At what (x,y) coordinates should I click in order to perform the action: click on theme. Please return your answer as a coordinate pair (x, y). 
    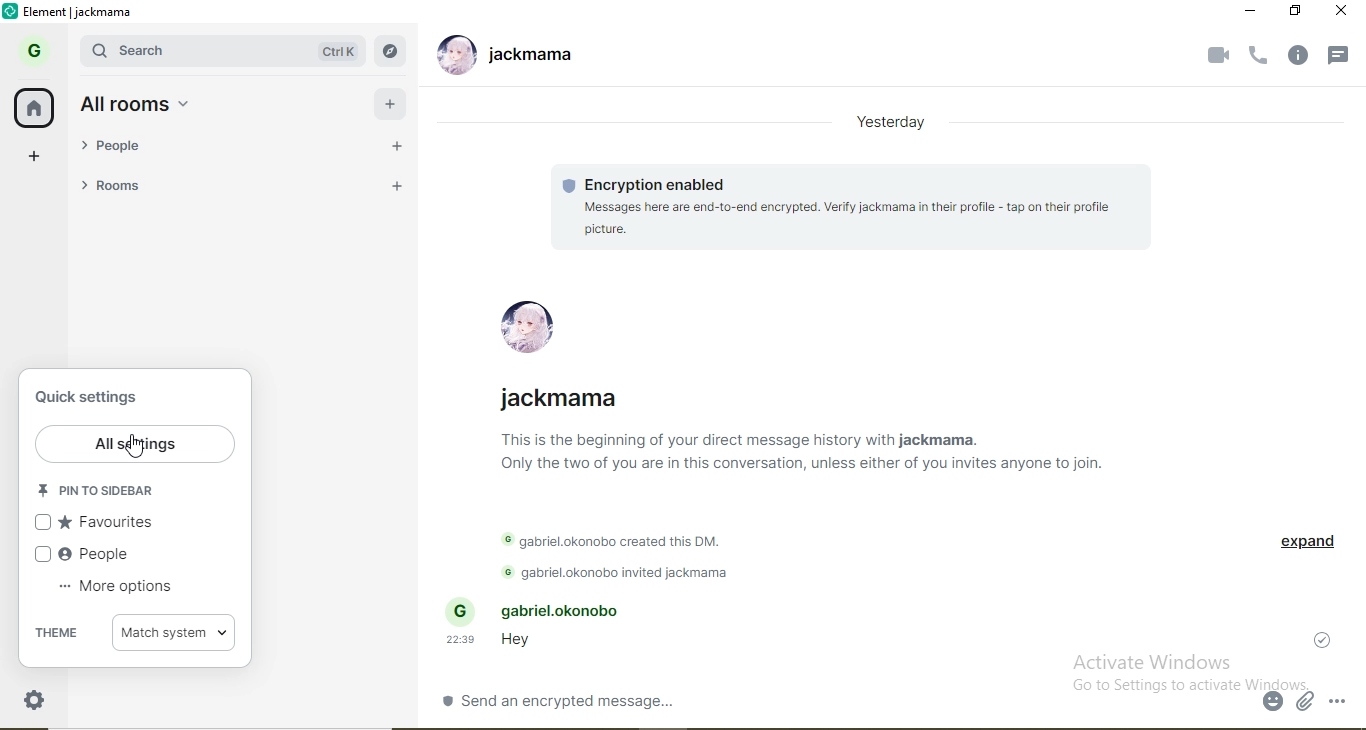
    Looking at the image, I should click on (58, 632).